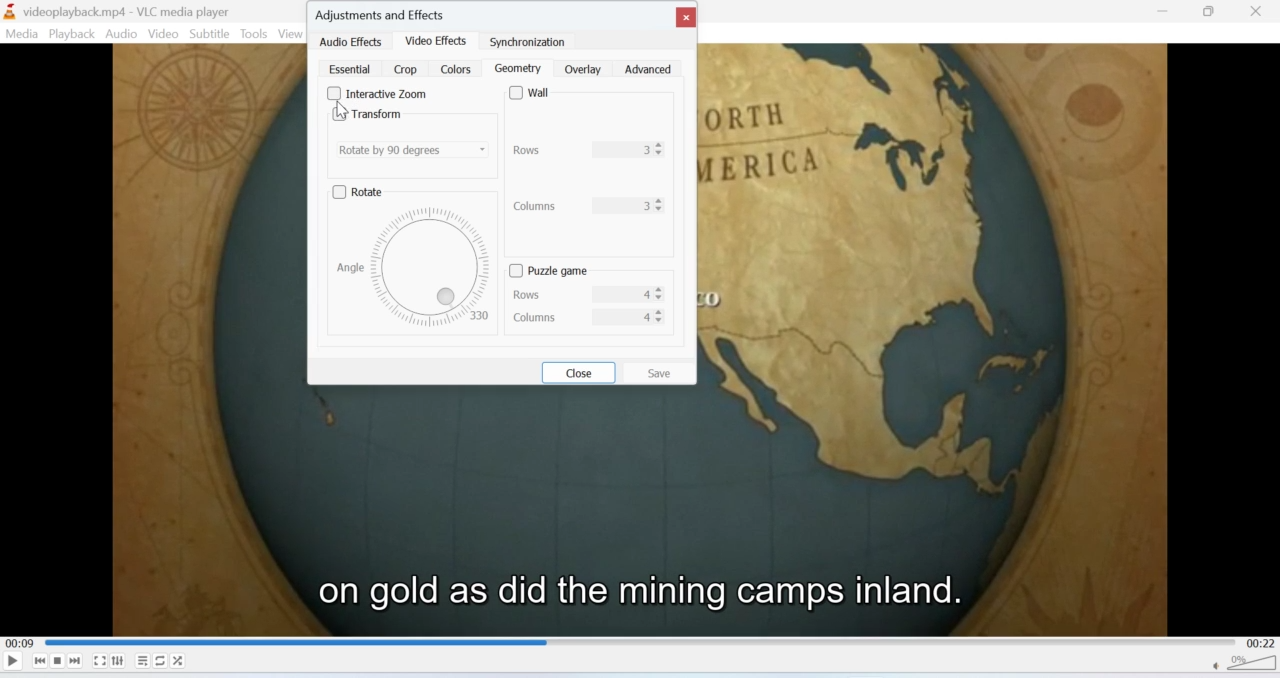 The image size is (1280, 678). Describe the element at coordinates (414, 149) in the screenshot. I see `Rotate by 90 degrees` at that location.